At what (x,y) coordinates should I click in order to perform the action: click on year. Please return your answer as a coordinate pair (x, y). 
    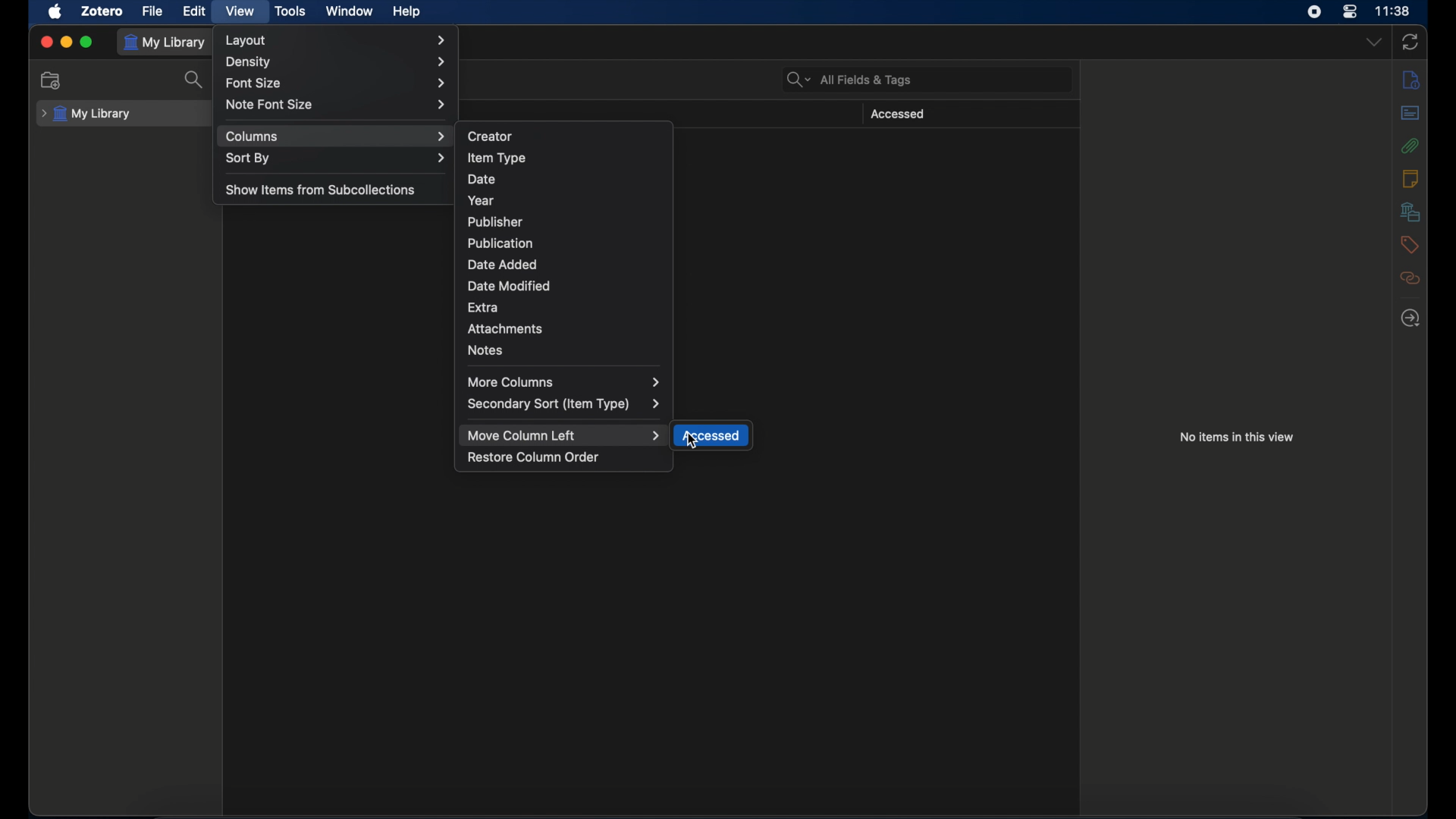
    Looking at the image, I should click on (481, 200).